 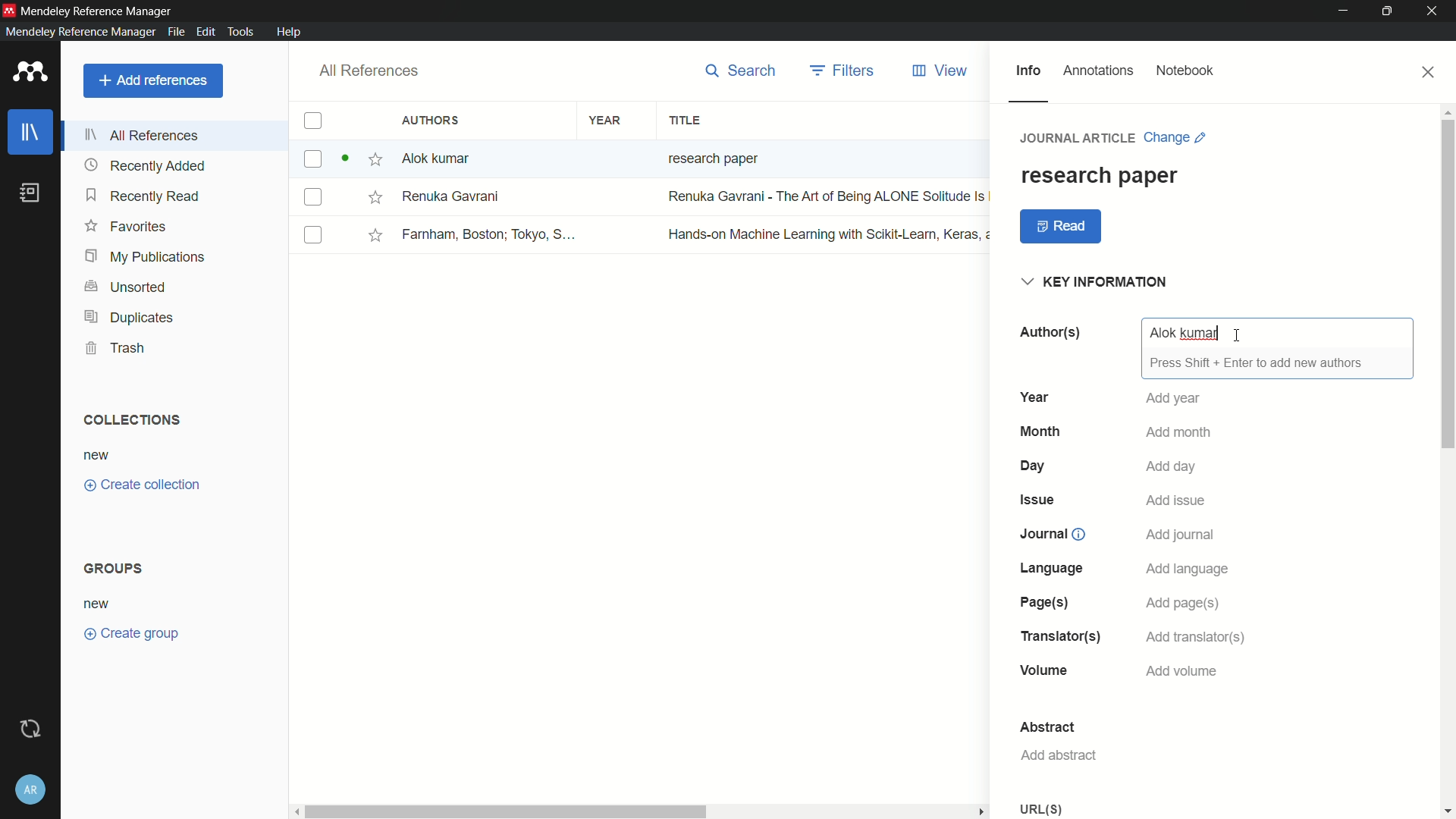 I want to click on groups, so click(x=116, y=567).